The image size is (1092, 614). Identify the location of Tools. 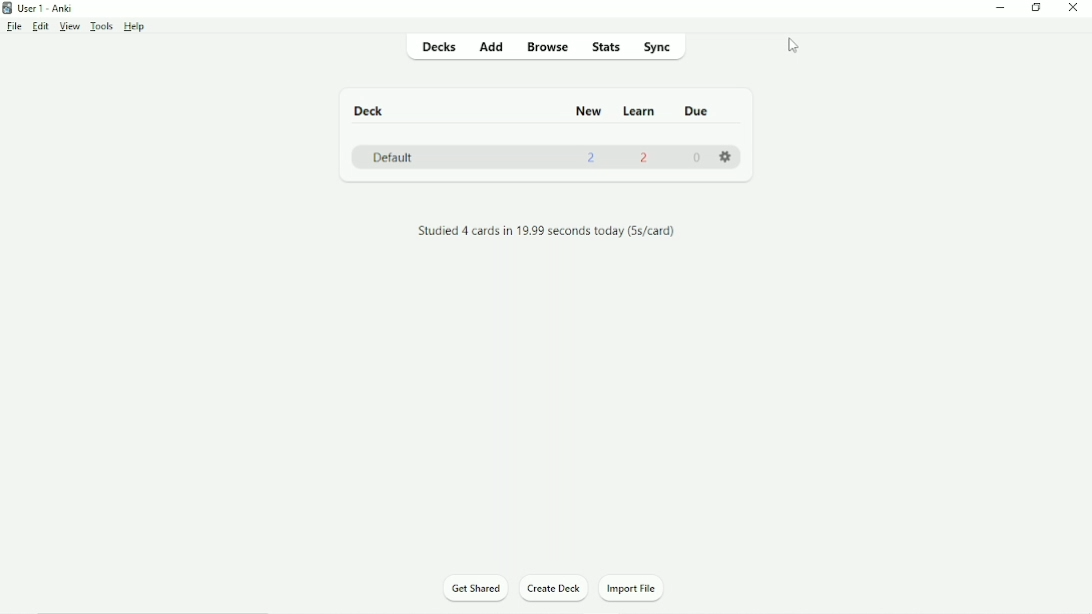
(103, 27).